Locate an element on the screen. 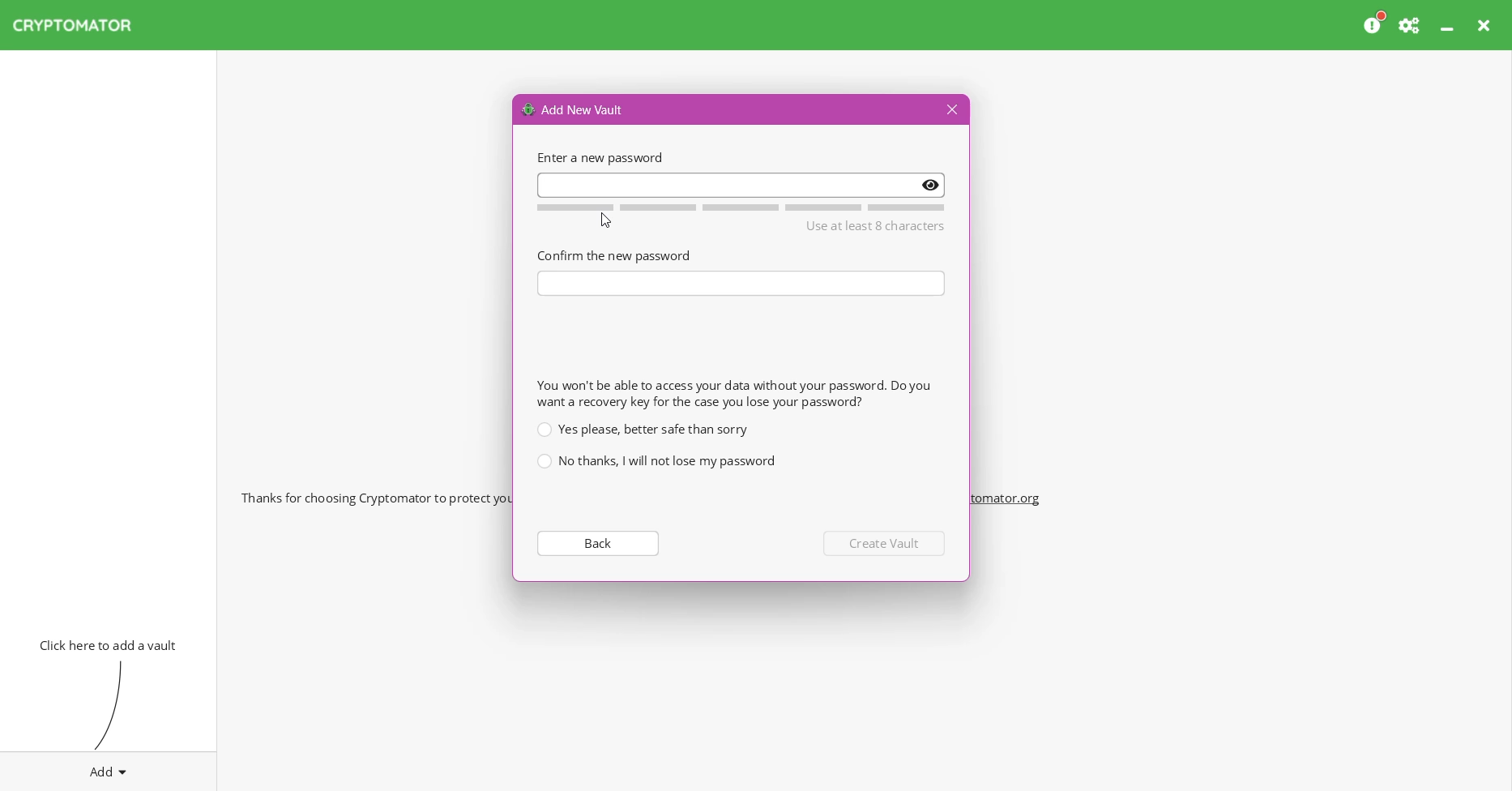  Add is located at coordinates (109, 768).